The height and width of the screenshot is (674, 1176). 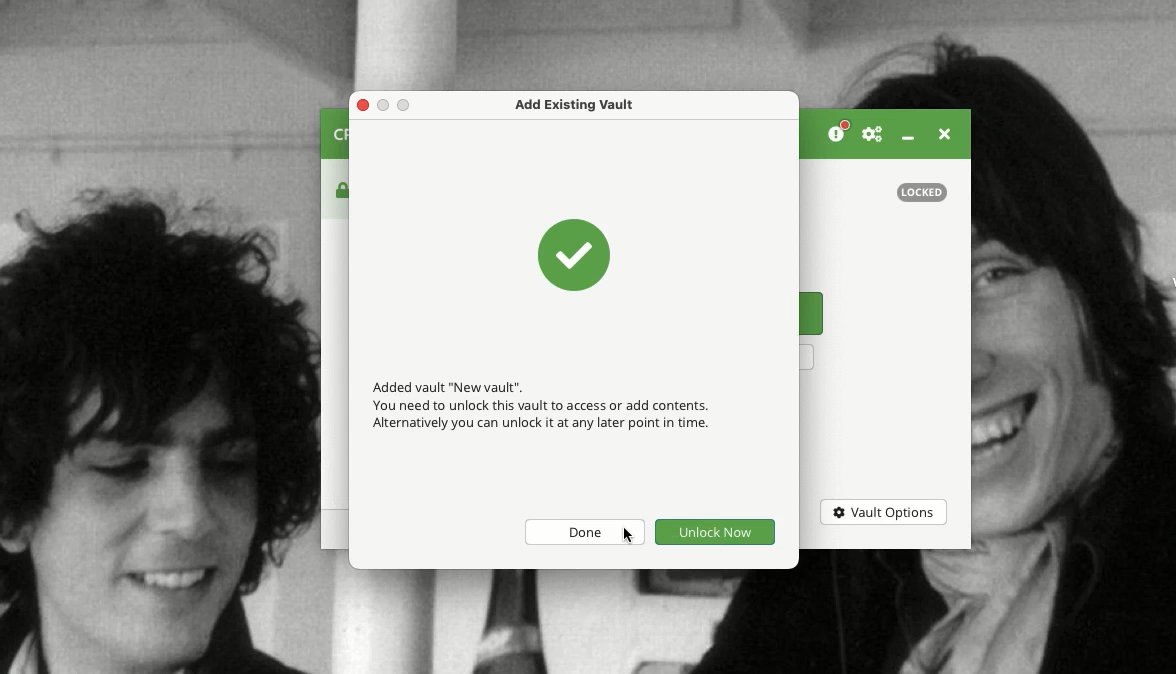 What do you see at coordinates (629, 535) in the screenshot?
I see `Cursor` at bounding box center [629, 535].